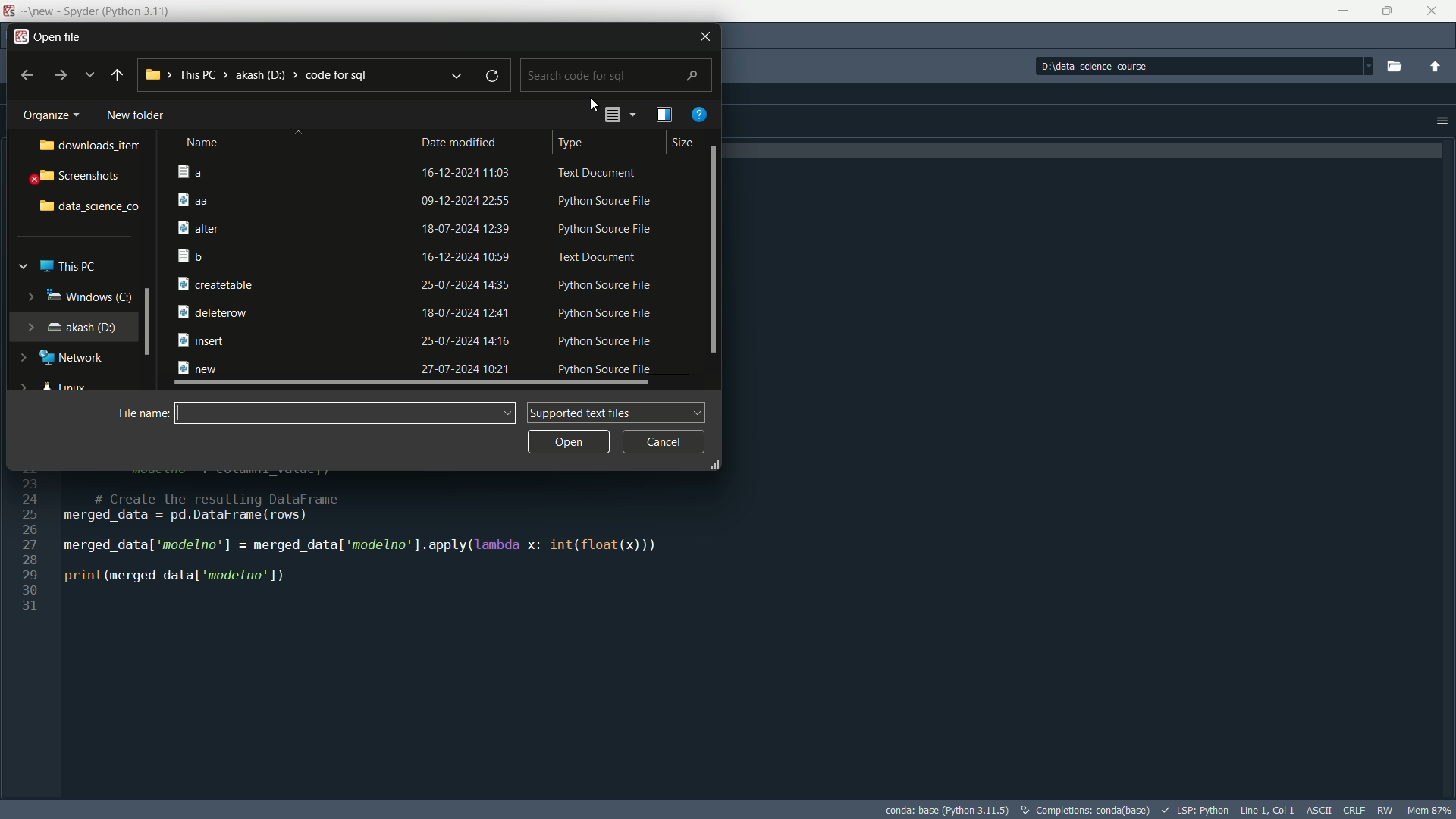 The image size is (1456, 819). I want to click on Fle directory, so click(258, 74).